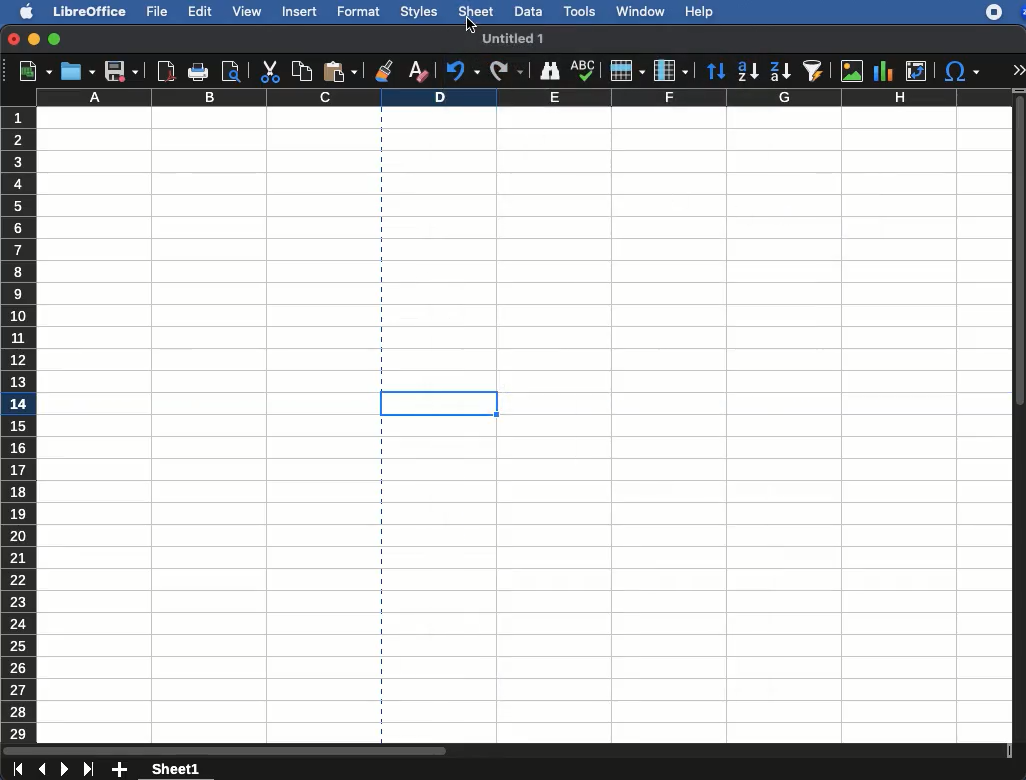 This screenshot has width=1026, height=780. Describe the element at coordinates (381, 585) in the screenshot. I see `page break` at that location.